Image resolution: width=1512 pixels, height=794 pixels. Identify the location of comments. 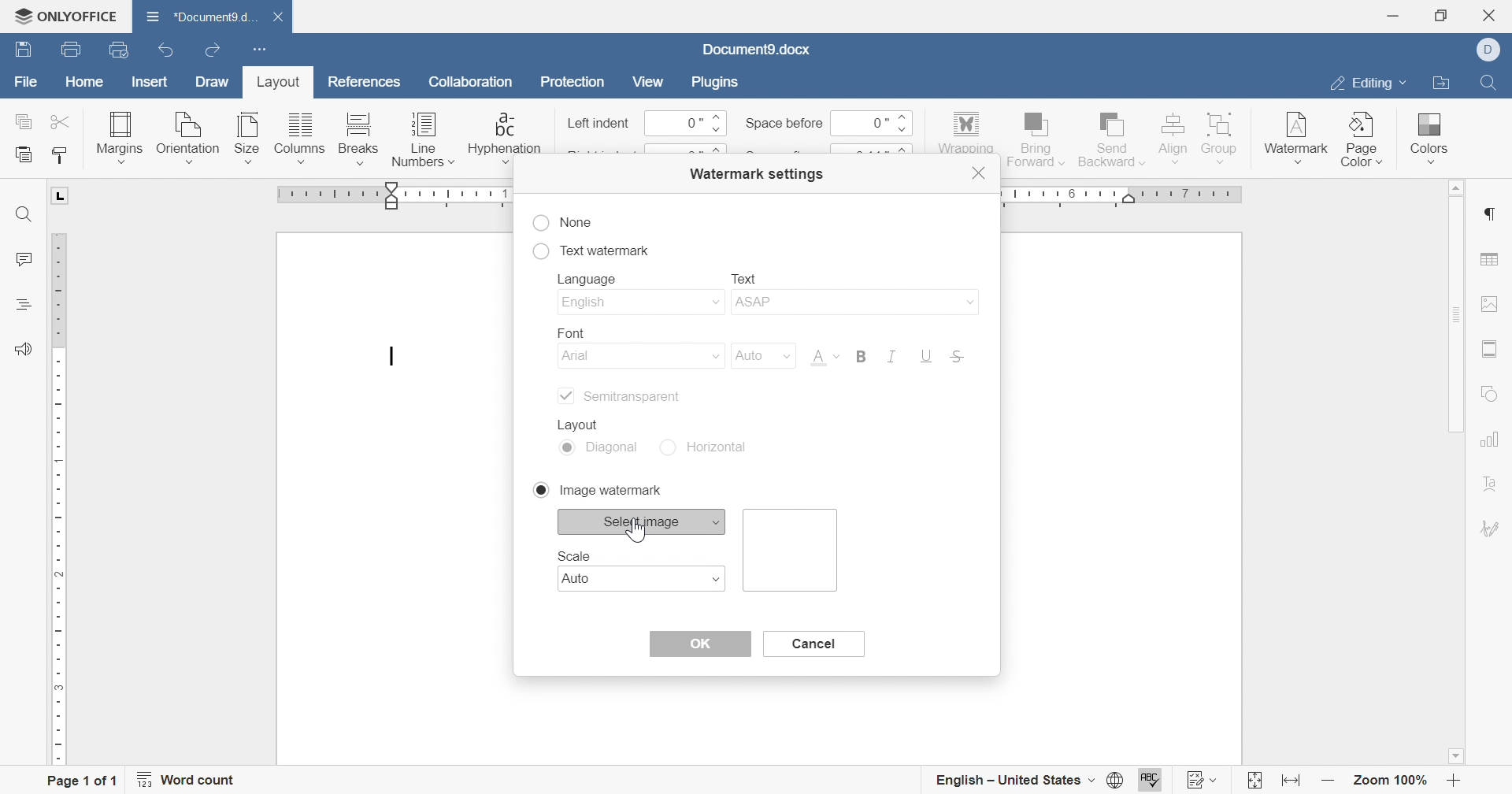
(21, 260).